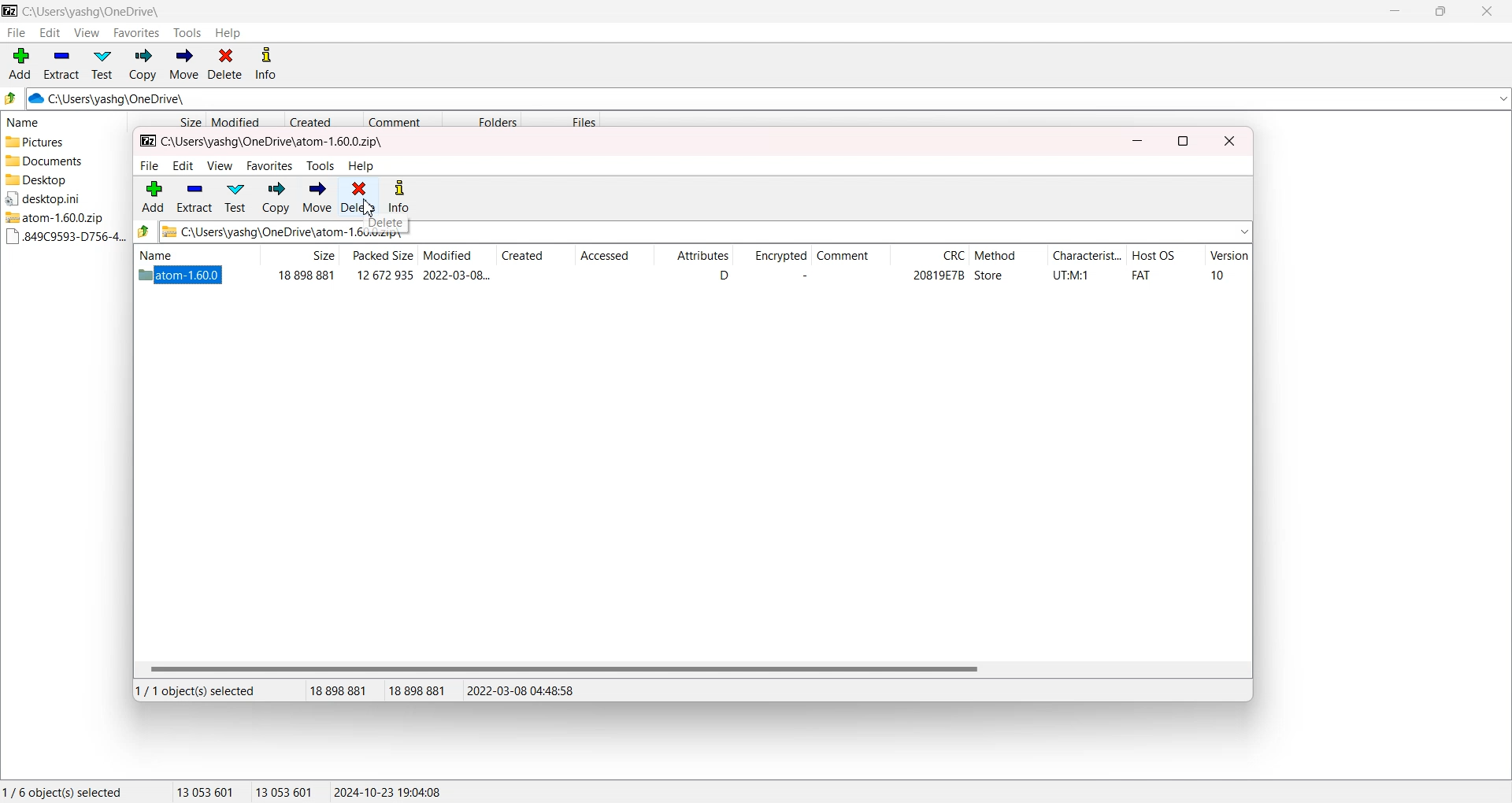 The width and height of the screenshot is (1512, 803). I want to click on D, so click(723, 276).